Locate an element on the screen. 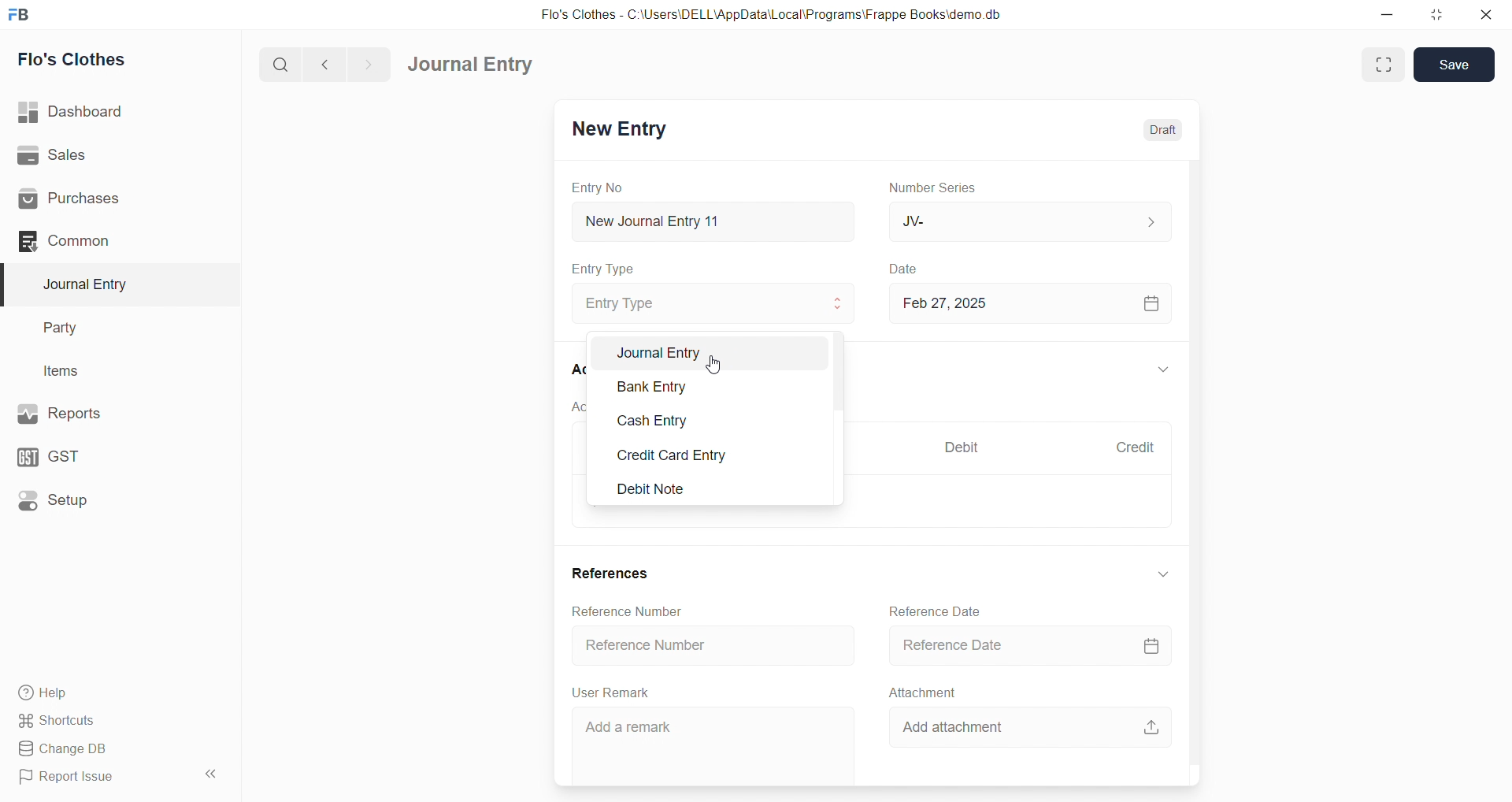 The image size is (1512, 802). Reference Number is located at coordinates (714, 646).